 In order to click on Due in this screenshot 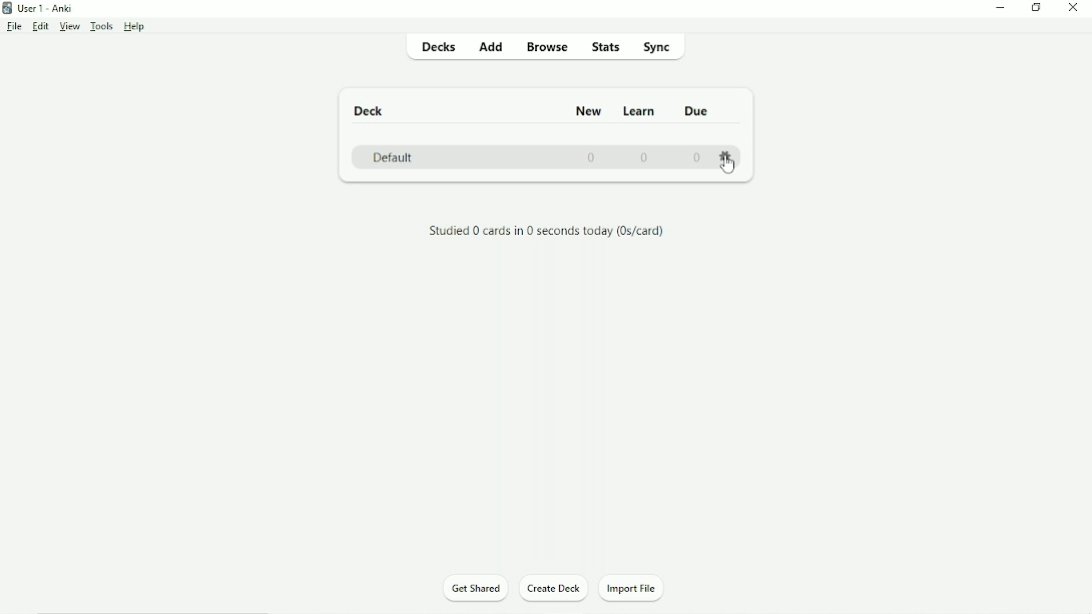, I will do `click(699, 111)`.